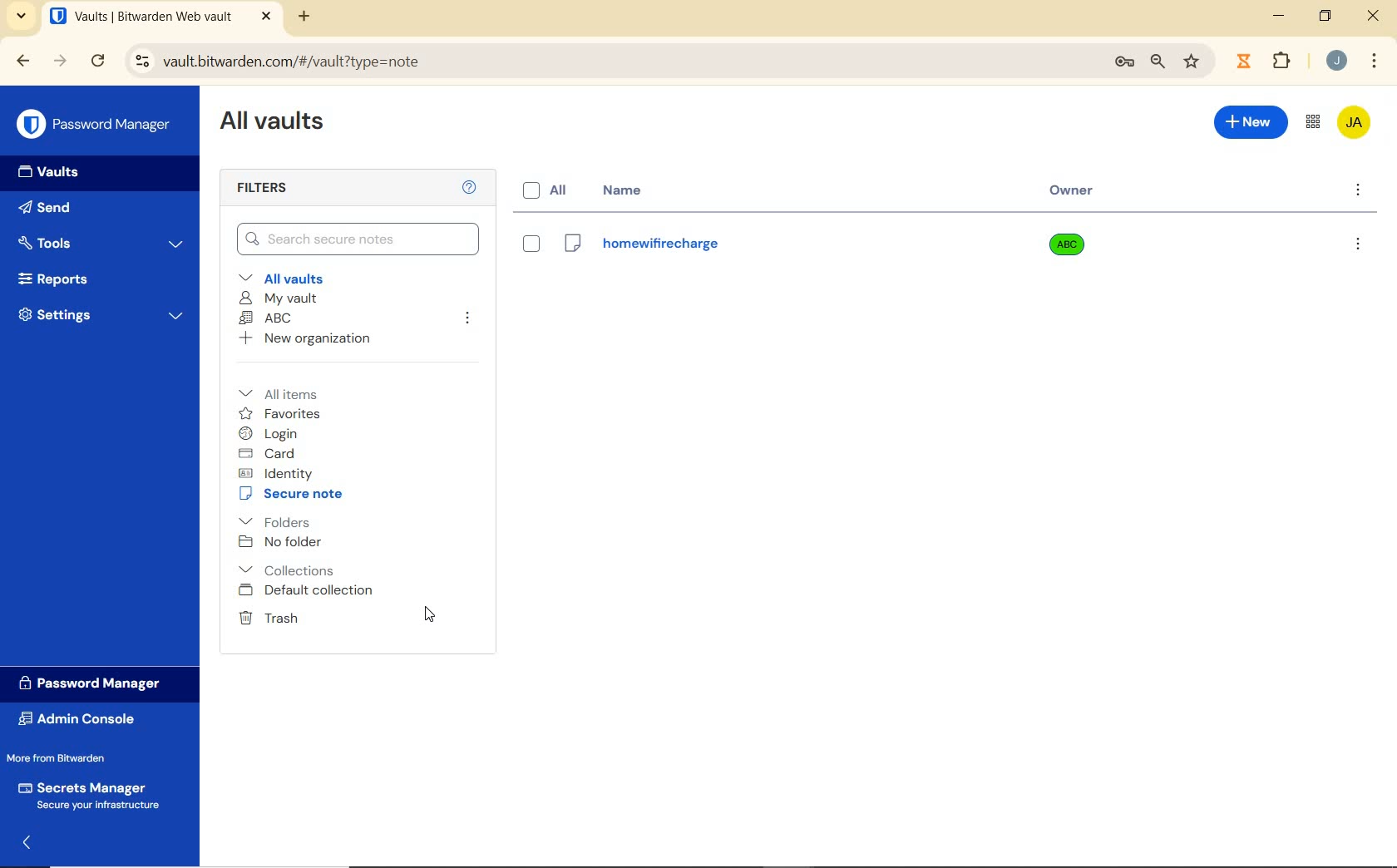  I want to click on owner, so click(1064, 246).